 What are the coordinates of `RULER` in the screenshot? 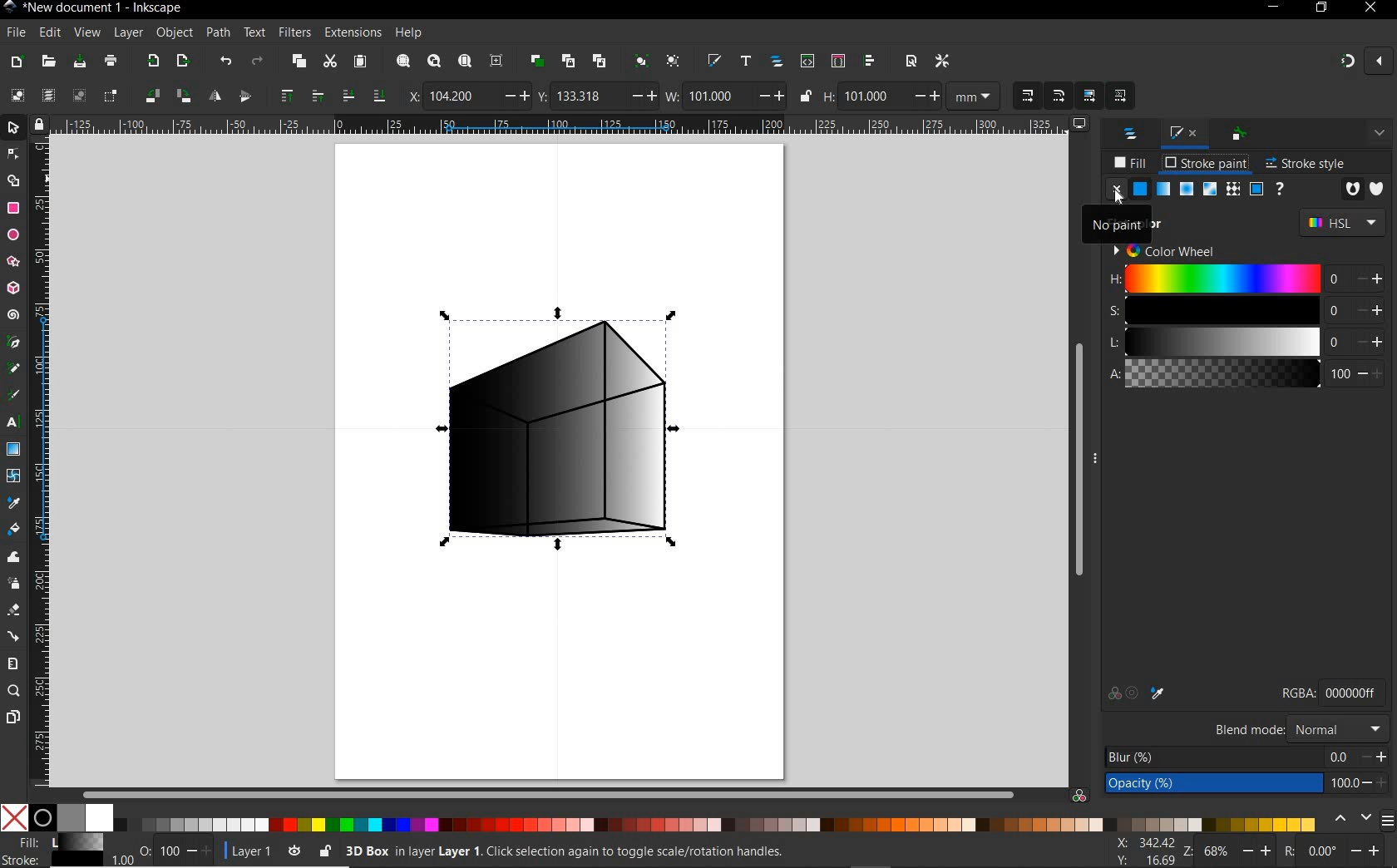 It's located at (41, 462).